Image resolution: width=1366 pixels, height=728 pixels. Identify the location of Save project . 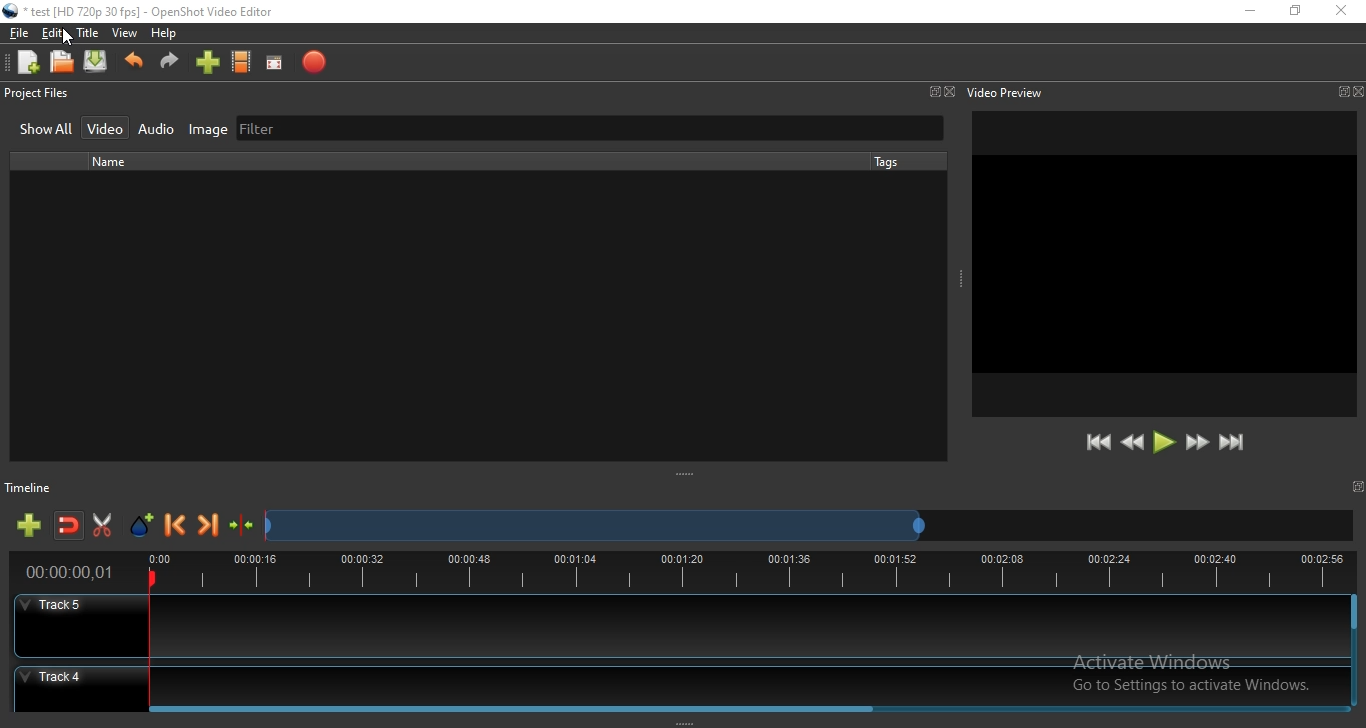
(97, 63).